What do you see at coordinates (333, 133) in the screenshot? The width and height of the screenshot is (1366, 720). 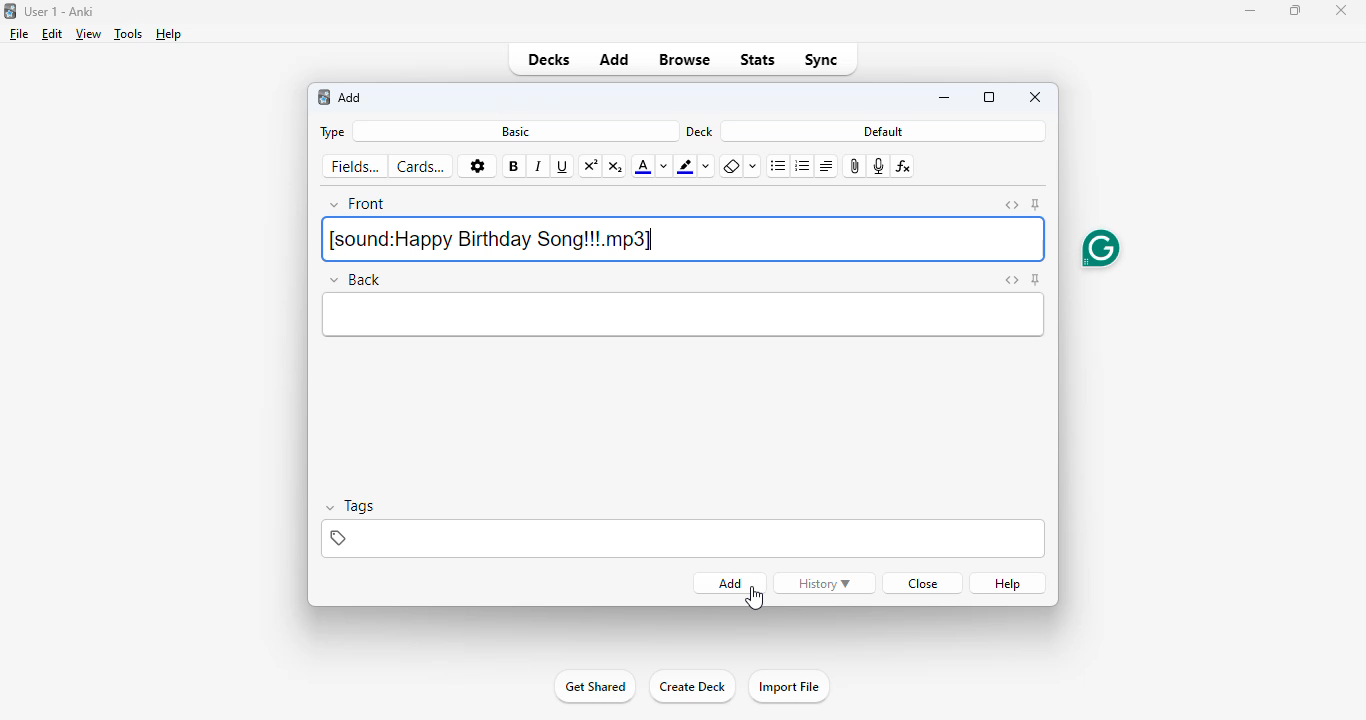 I see `type` at bounding box center [333, 133].